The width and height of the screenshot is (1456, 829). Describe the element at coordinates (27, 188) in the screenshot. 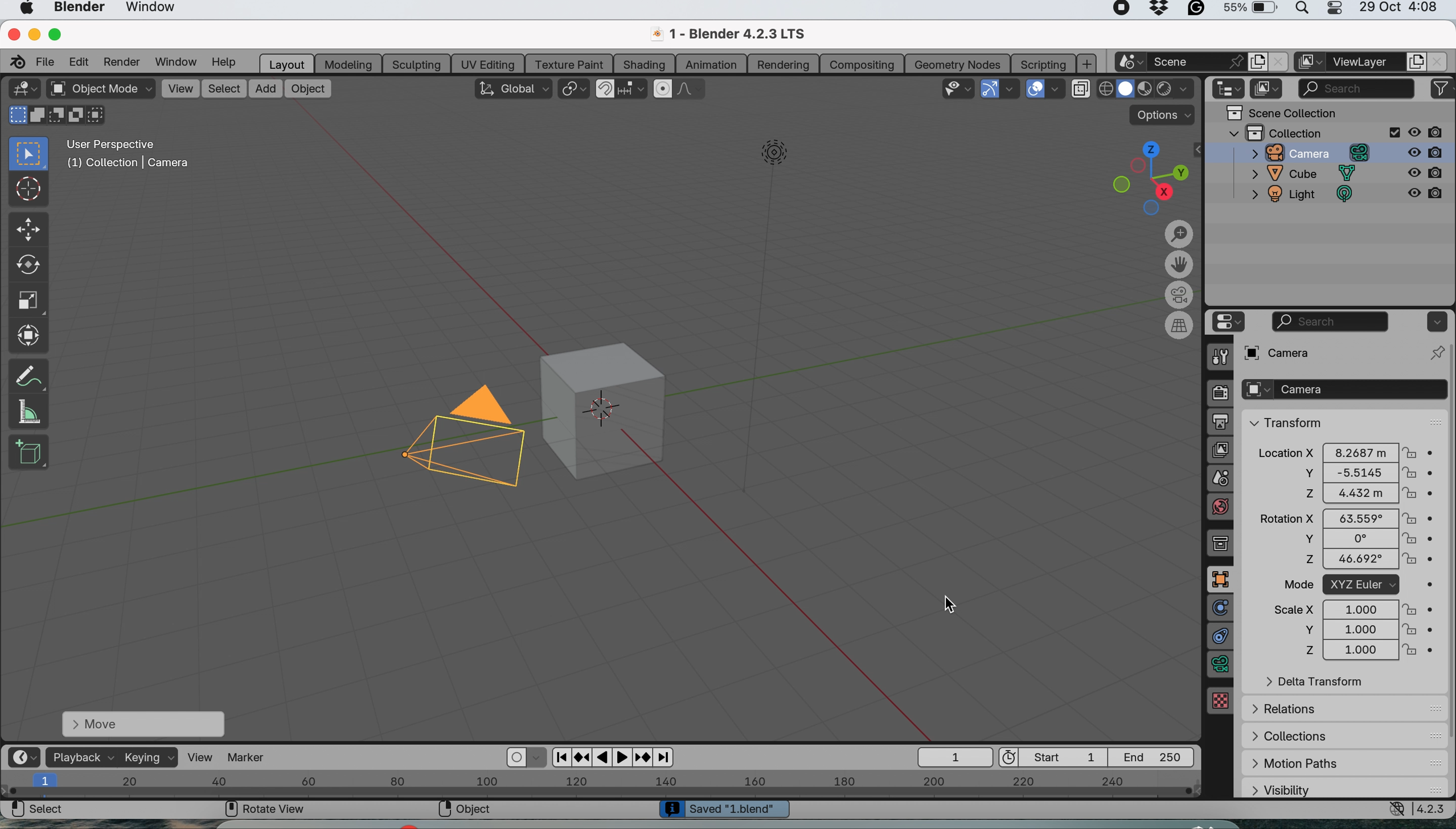

I see `cursor` at that location.